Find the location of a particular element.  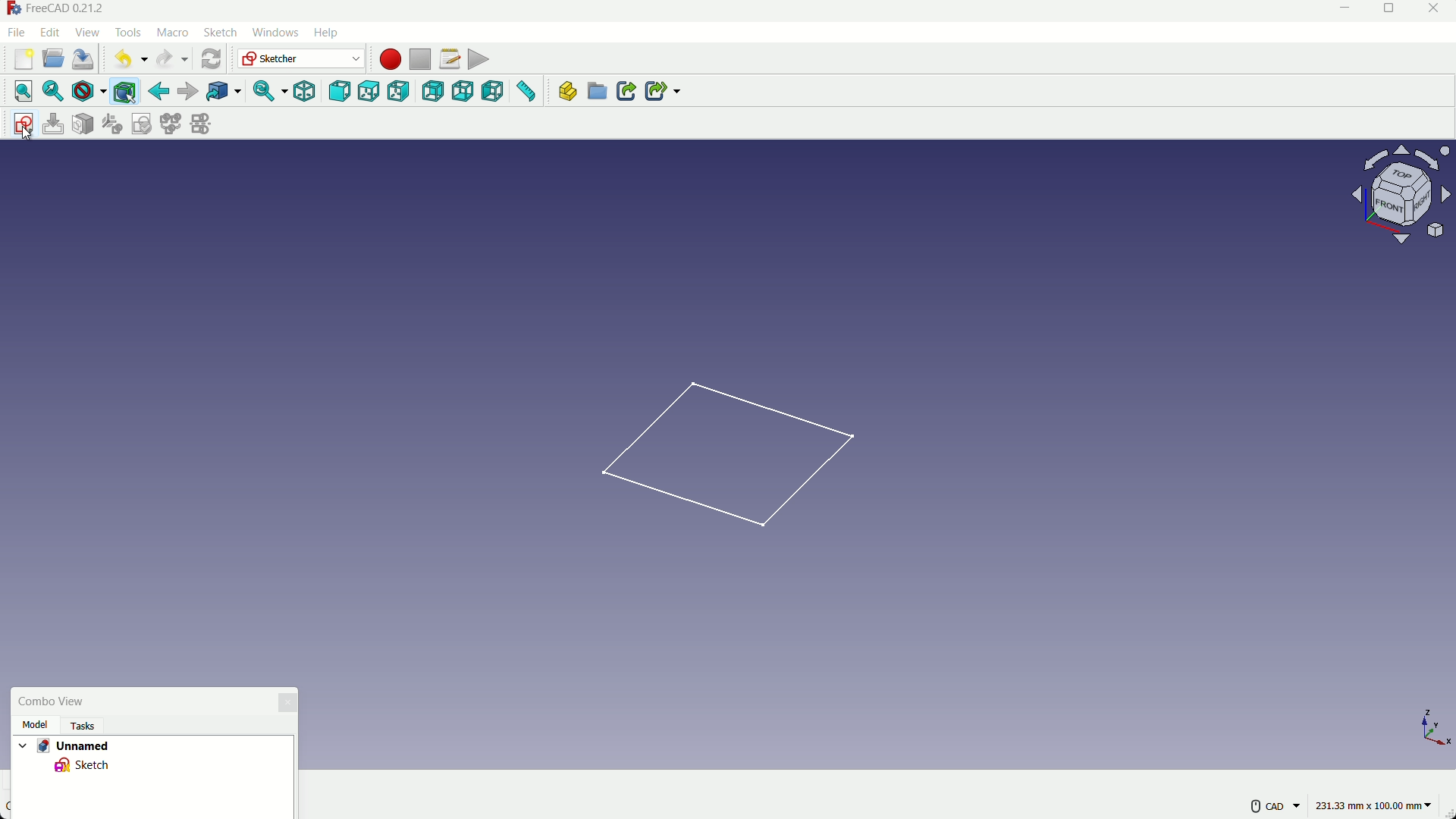

save file is located at coordinates (83, 60).